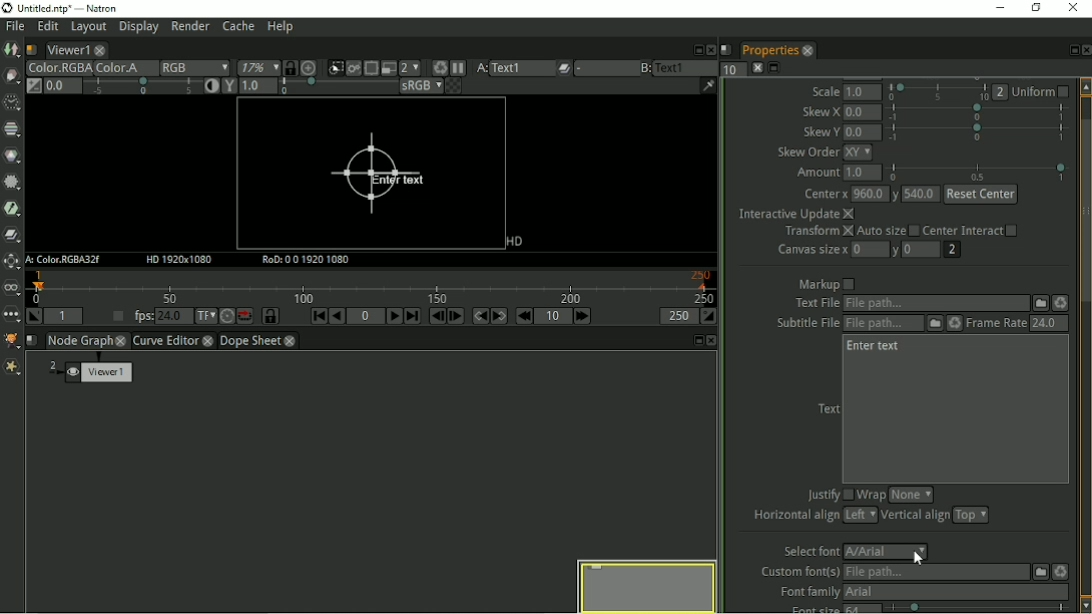  I want to click on Pause updates, so click(459, 68).